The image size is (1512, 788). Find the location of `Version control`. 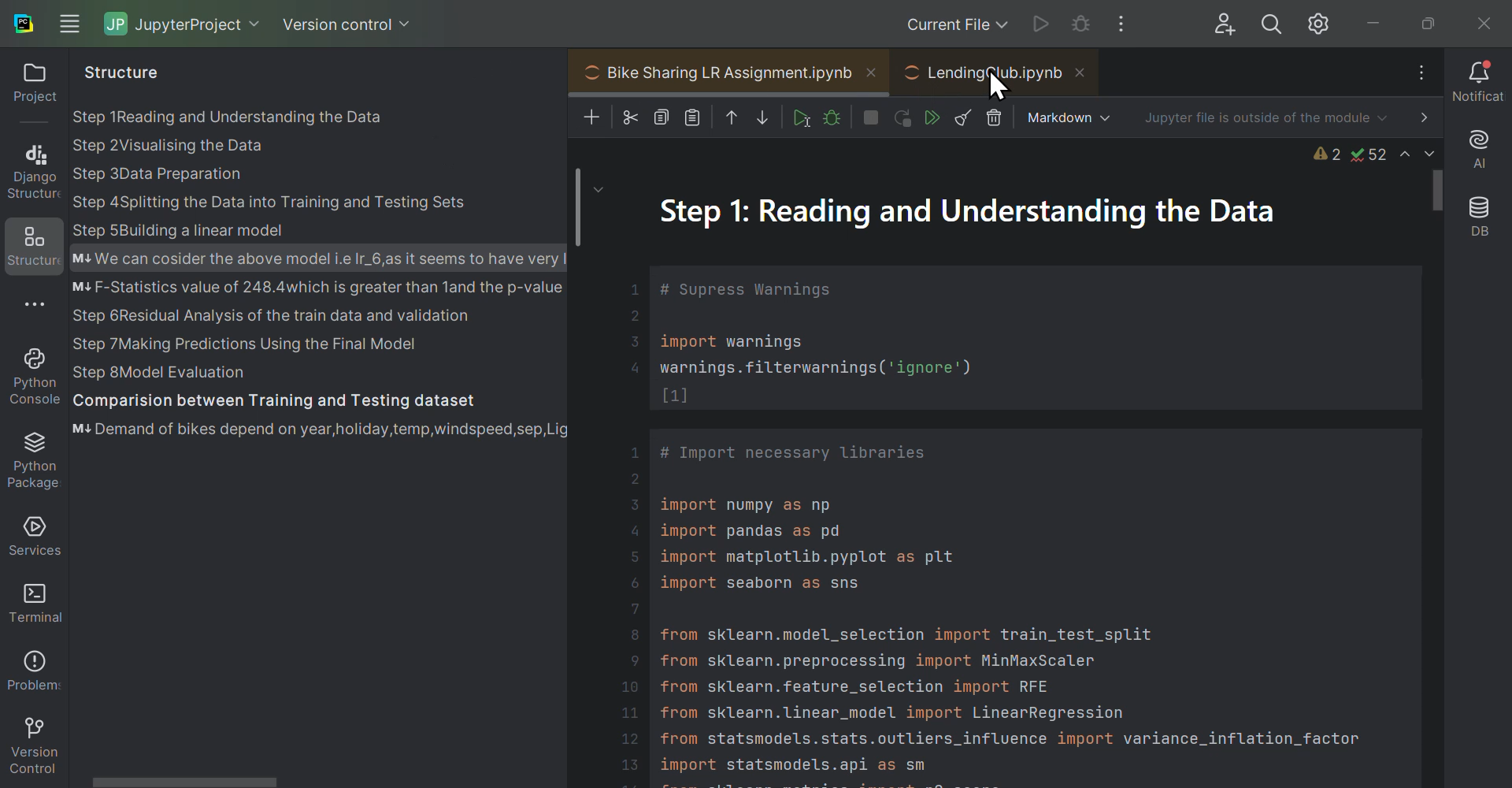

Version control is located at coordinates (36, 748).